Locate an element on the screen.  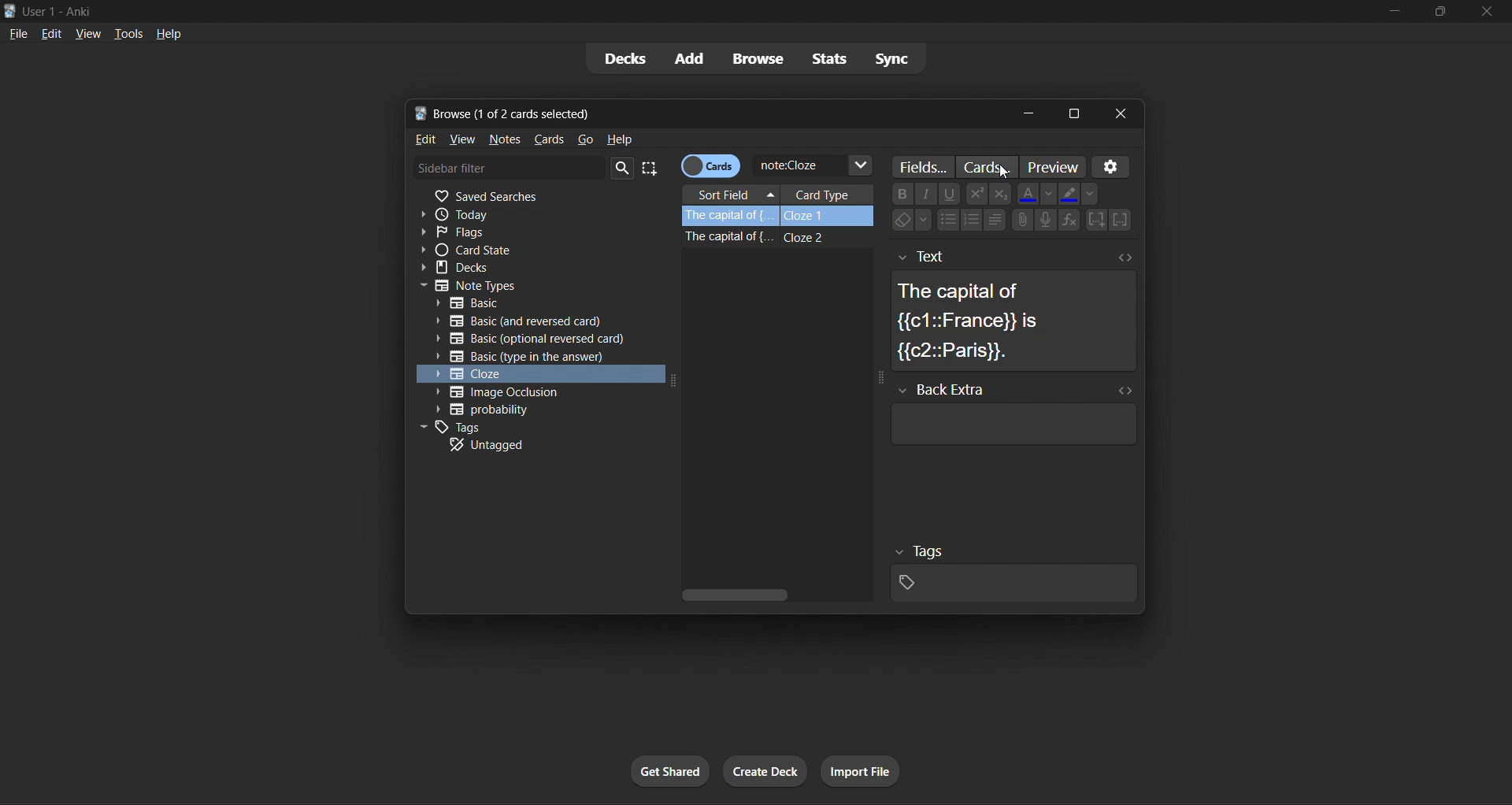
card type column is located at coordinates (828, 194).